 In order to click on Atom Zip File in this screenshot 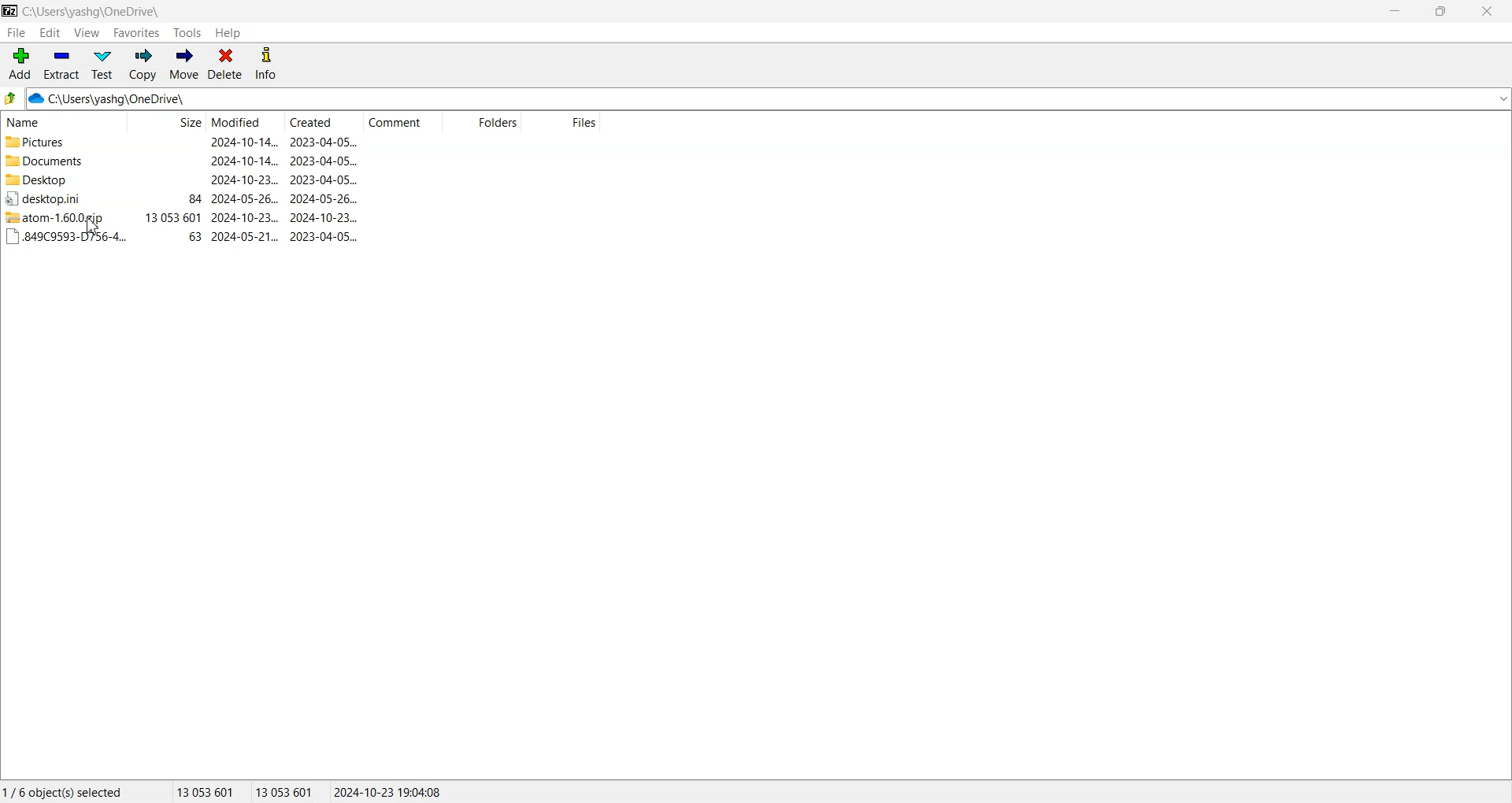, I will do `click(60, 217)`.